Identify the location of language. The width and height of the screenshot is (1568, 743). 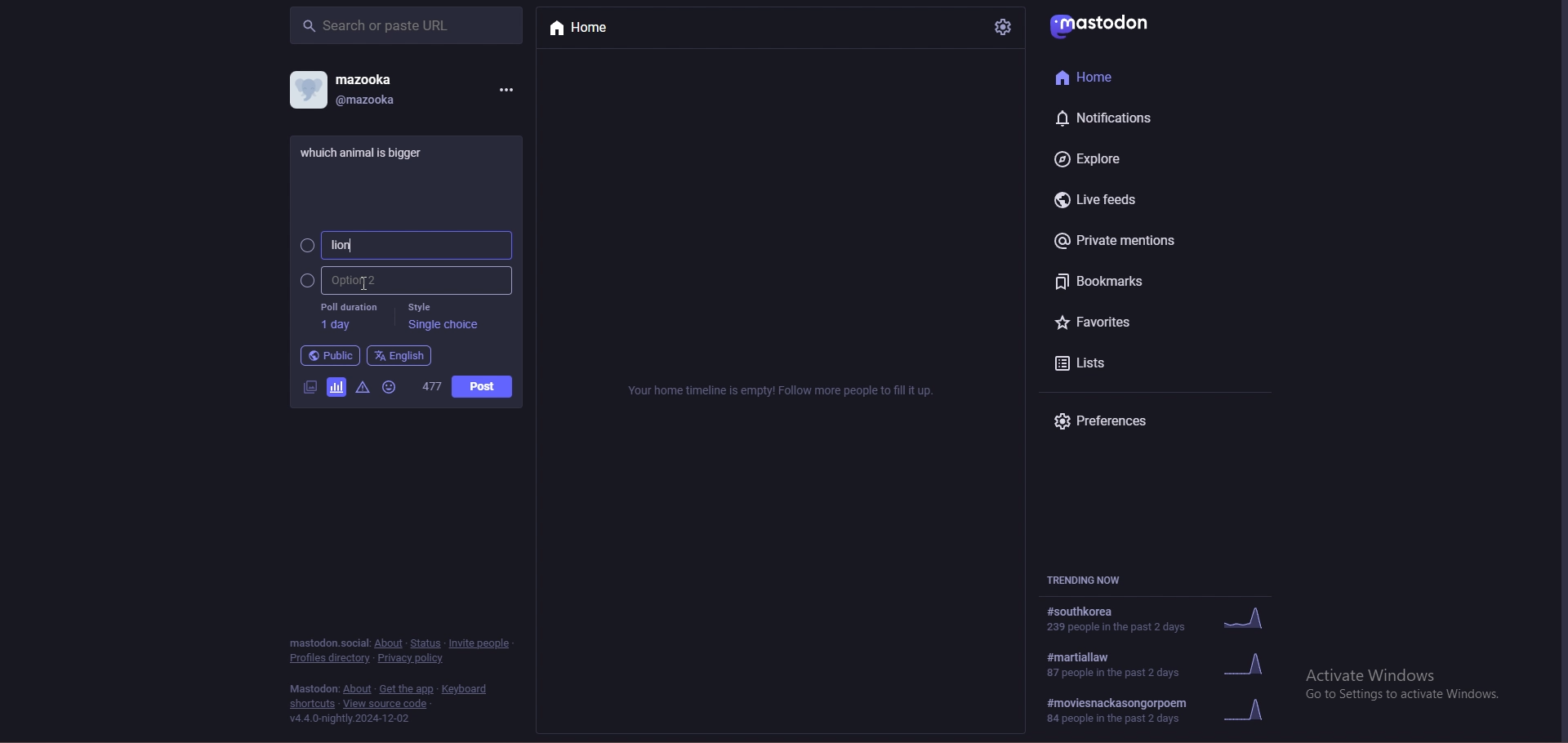
(399, 355).